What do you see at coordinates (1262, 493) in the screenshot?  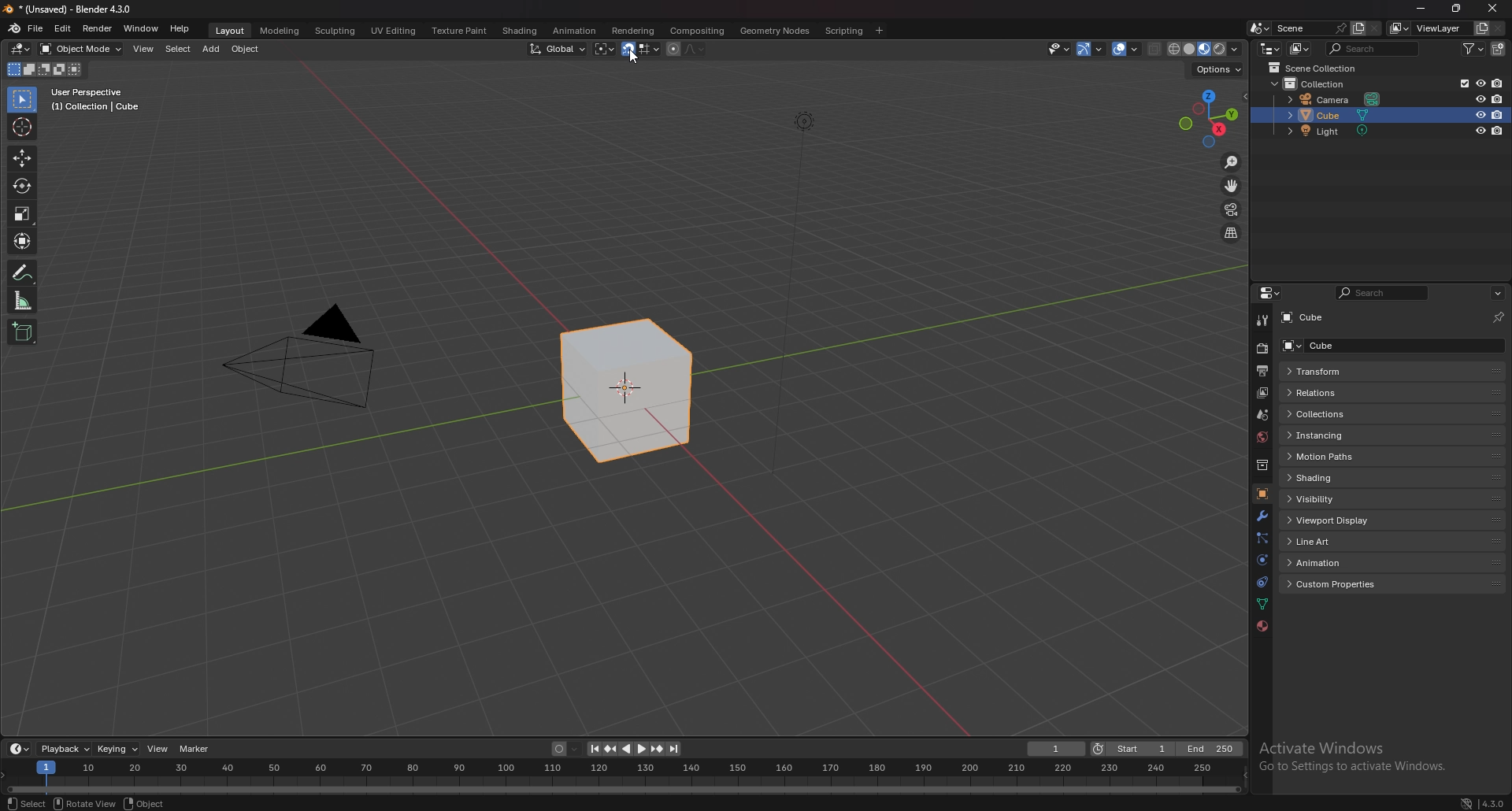 I see `object` at bounding box center [1262, 493].